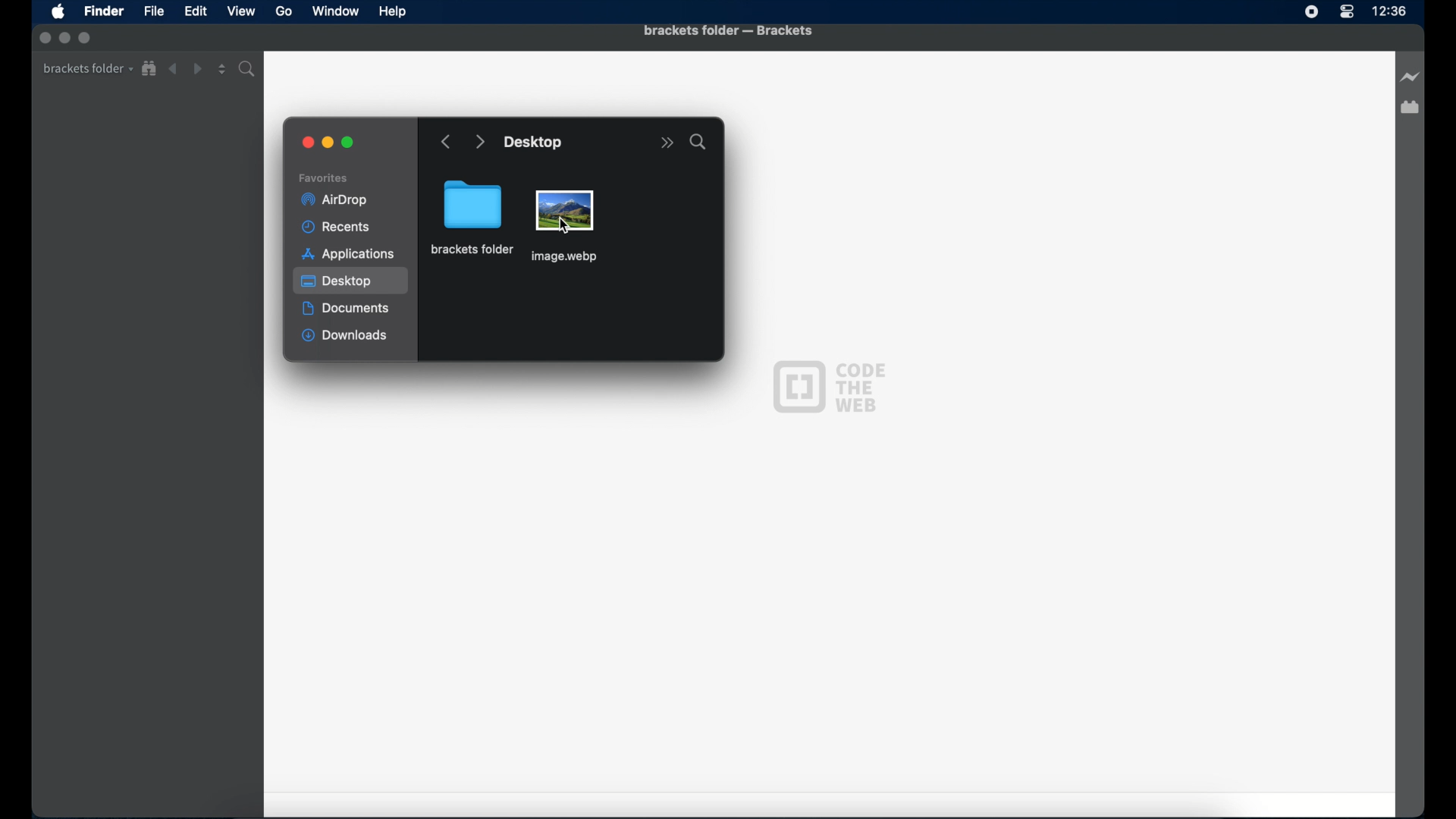 This screenshot has height=819, width=1456. Describe the element at coordinates (196, 12) in the screenshot. I see `Edit` at that location.